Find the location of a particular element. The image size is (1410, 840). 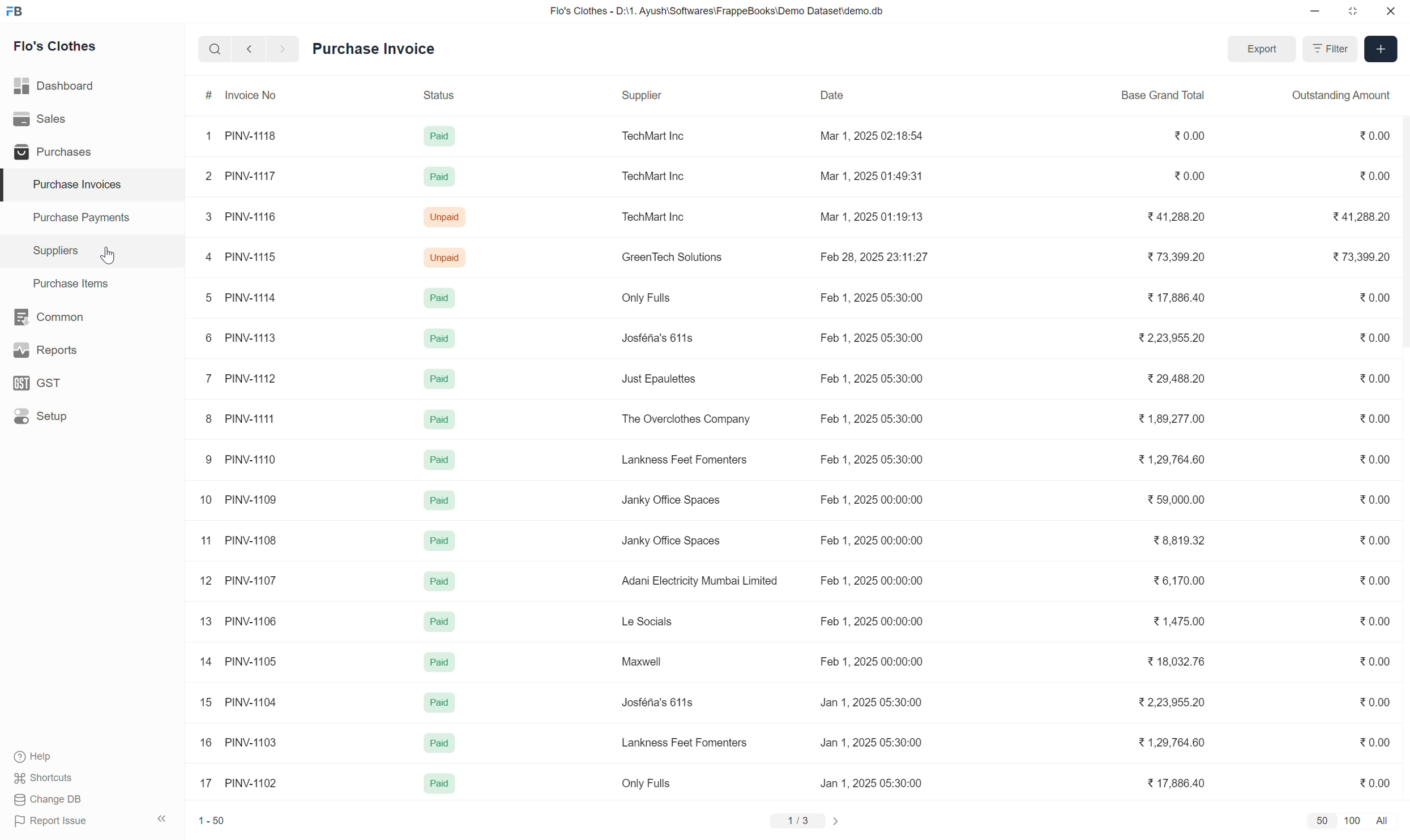

close down is located at coordinates (1354, 12).